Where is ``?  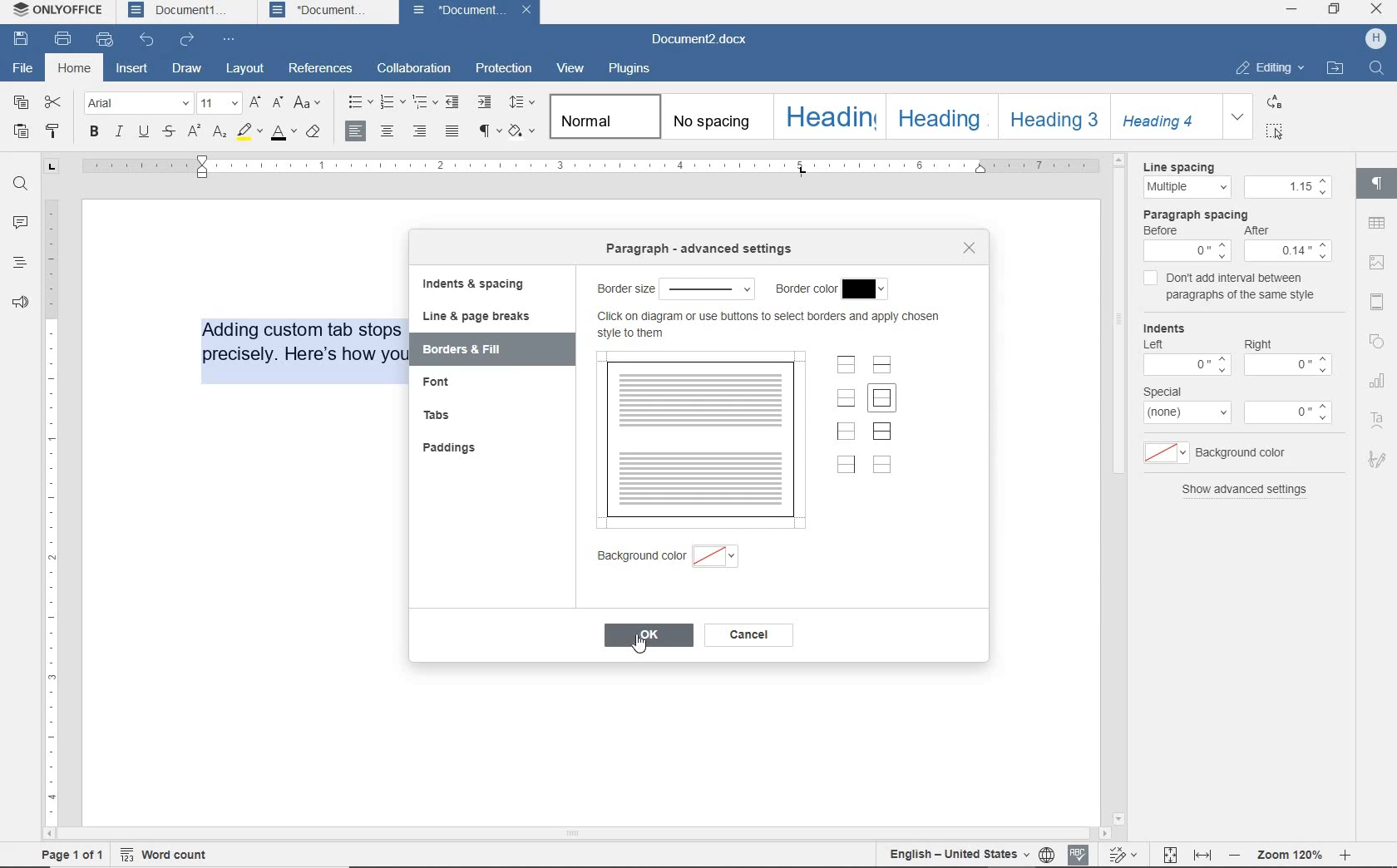  is located at coordinates (1189, 250).